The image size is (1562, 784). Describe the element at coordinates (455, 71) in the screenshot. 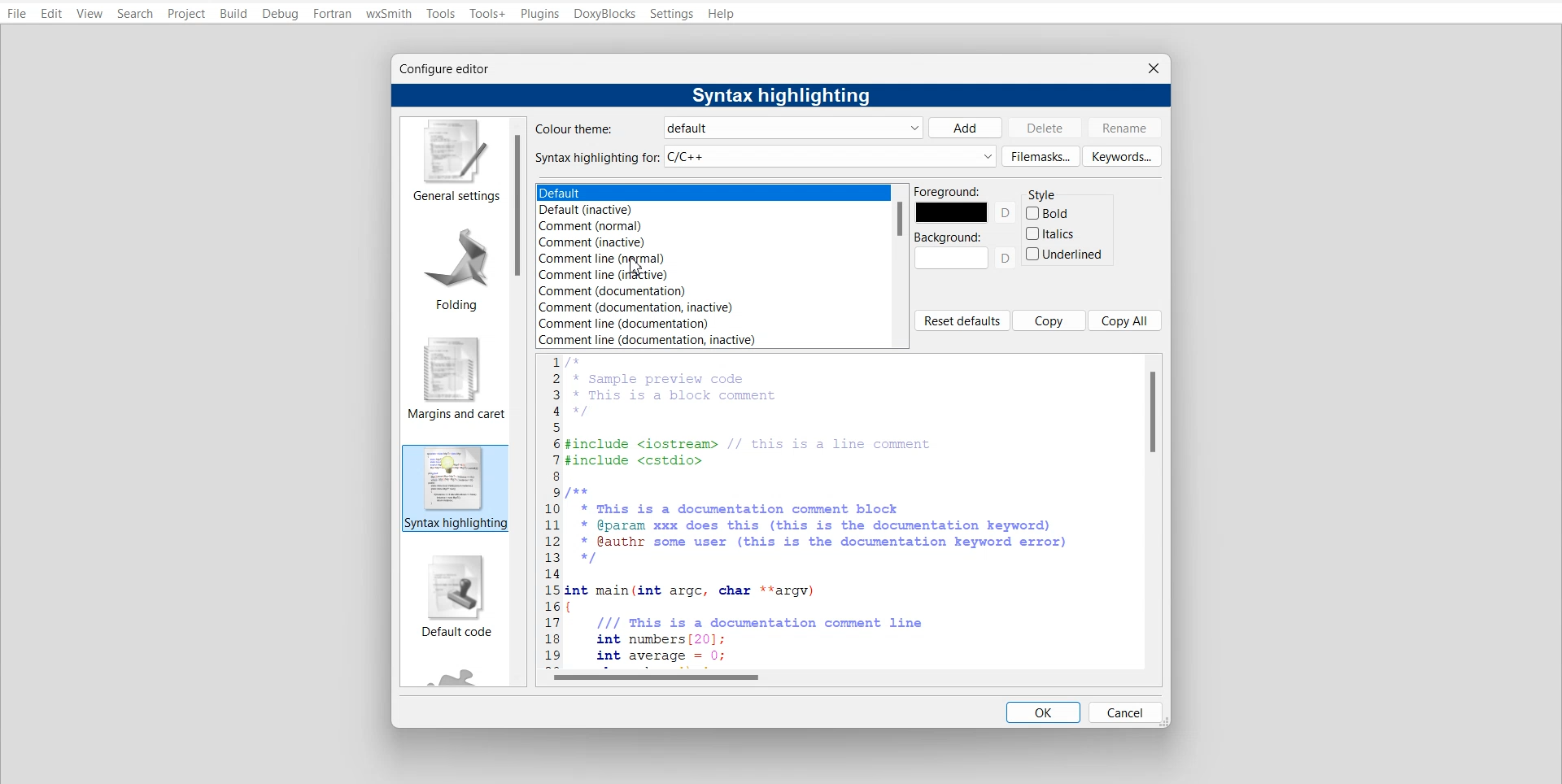

I see `Configure editor` at that location.